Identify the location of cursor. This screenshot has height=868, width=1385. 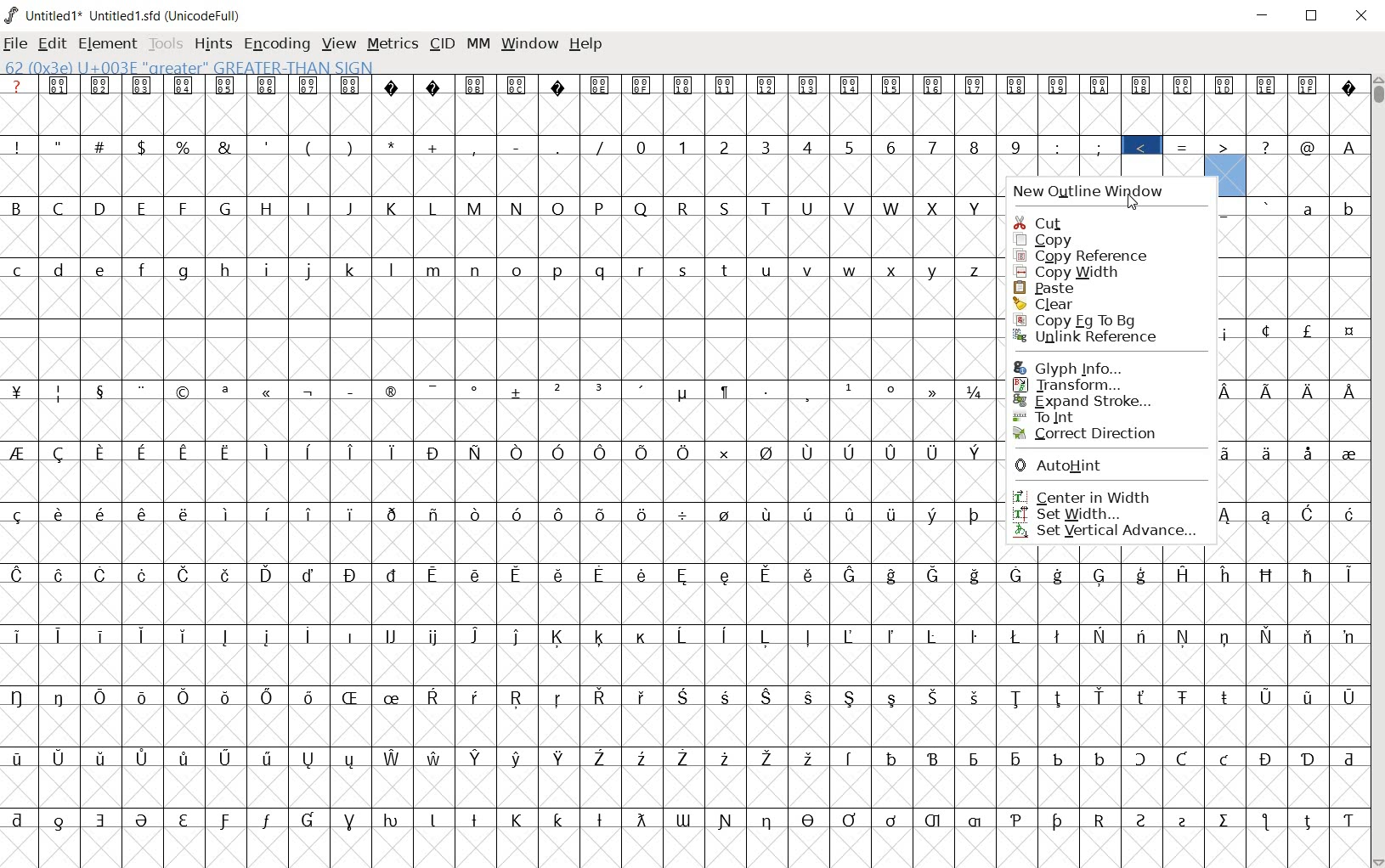
(1132, 201).